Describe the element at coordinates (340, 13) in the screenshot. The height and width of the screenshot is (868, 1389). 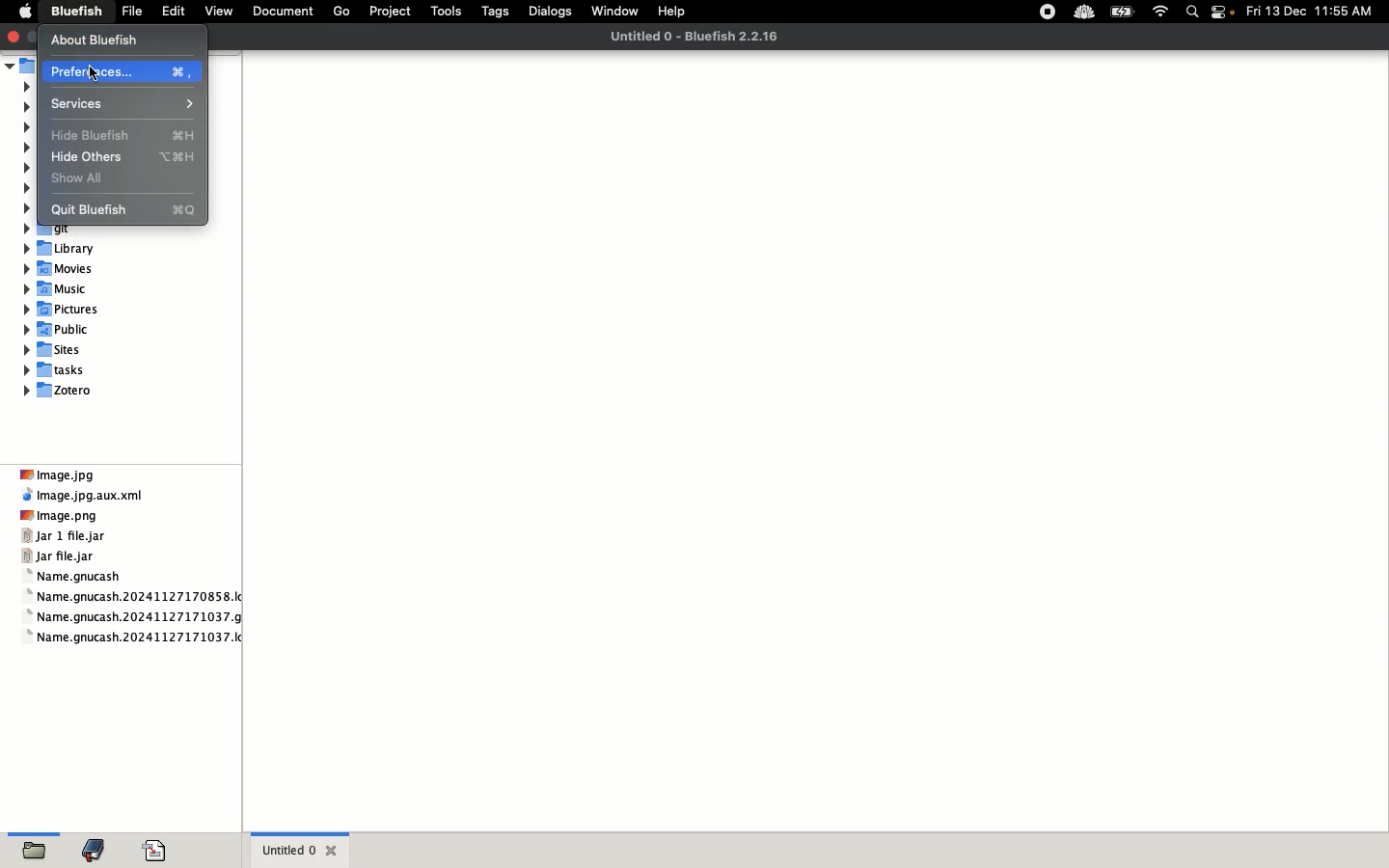
I see `Go` at that location.